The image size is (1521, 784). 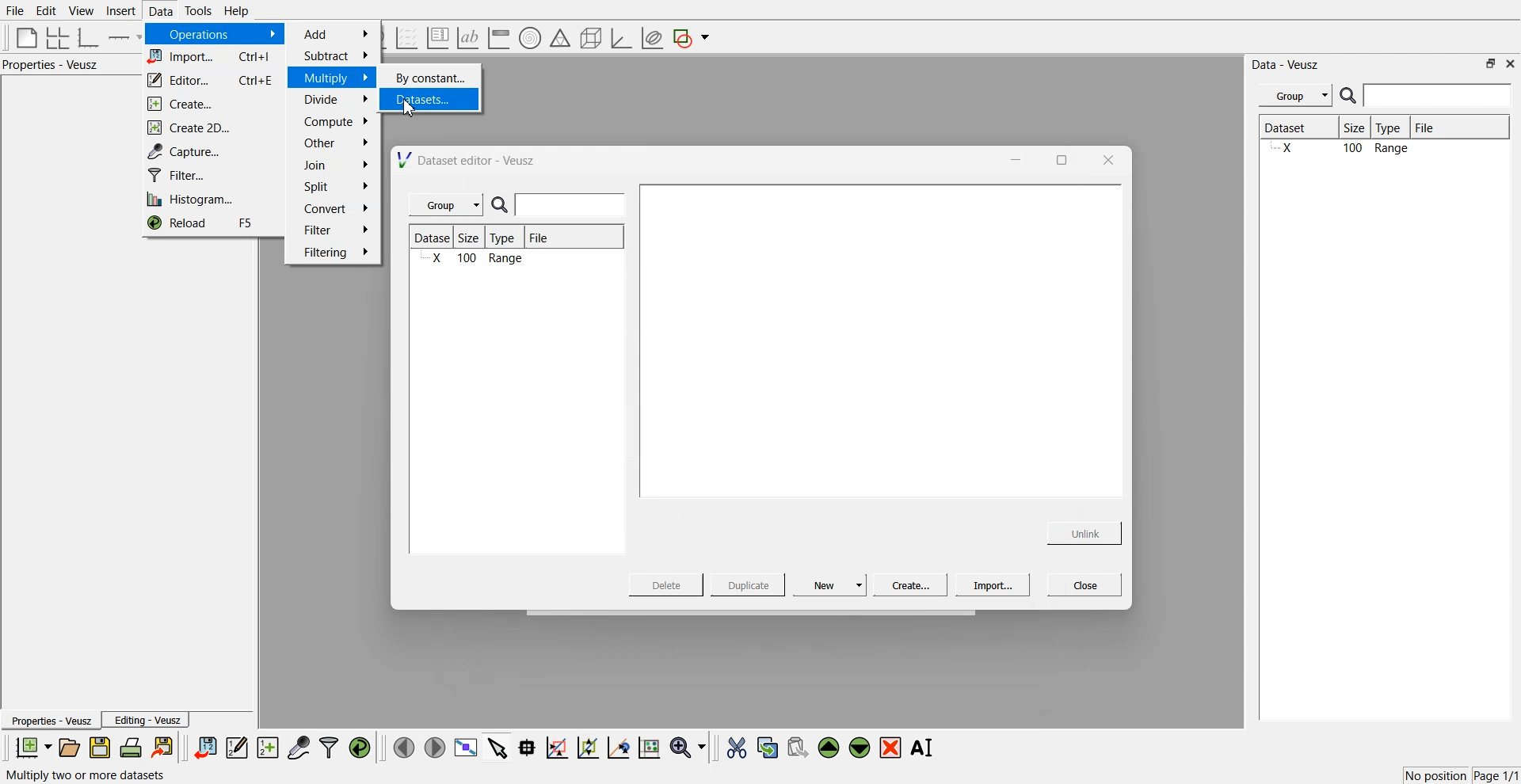 What do you see at coordinates (908, 584) in the screenshot?
I see `Create...` at bounding box center [908, 584].